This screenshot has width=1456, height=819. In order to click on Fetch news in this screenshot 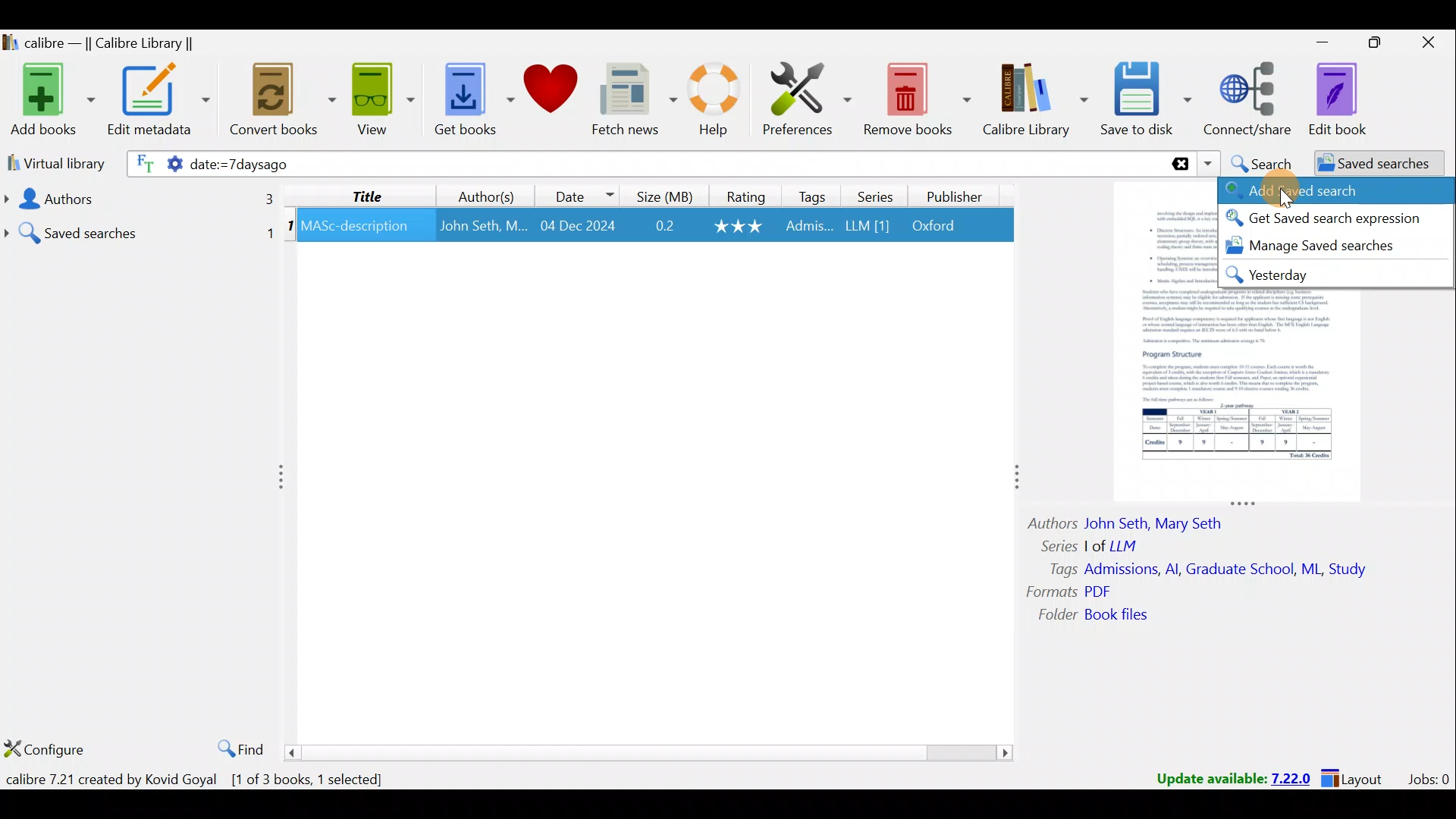, I will do `click(634, 100)`.